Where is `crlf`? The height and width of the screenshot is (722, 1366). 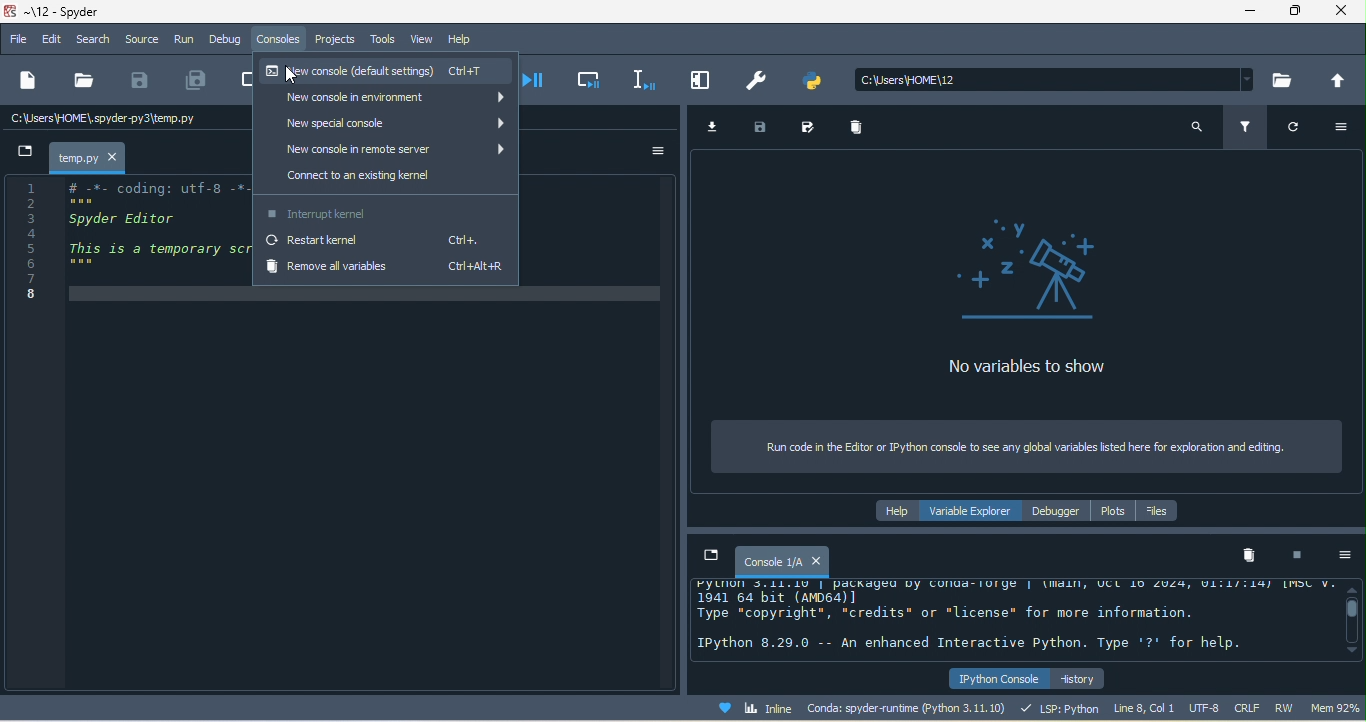 crlf is located at coordinates (1246, 707).